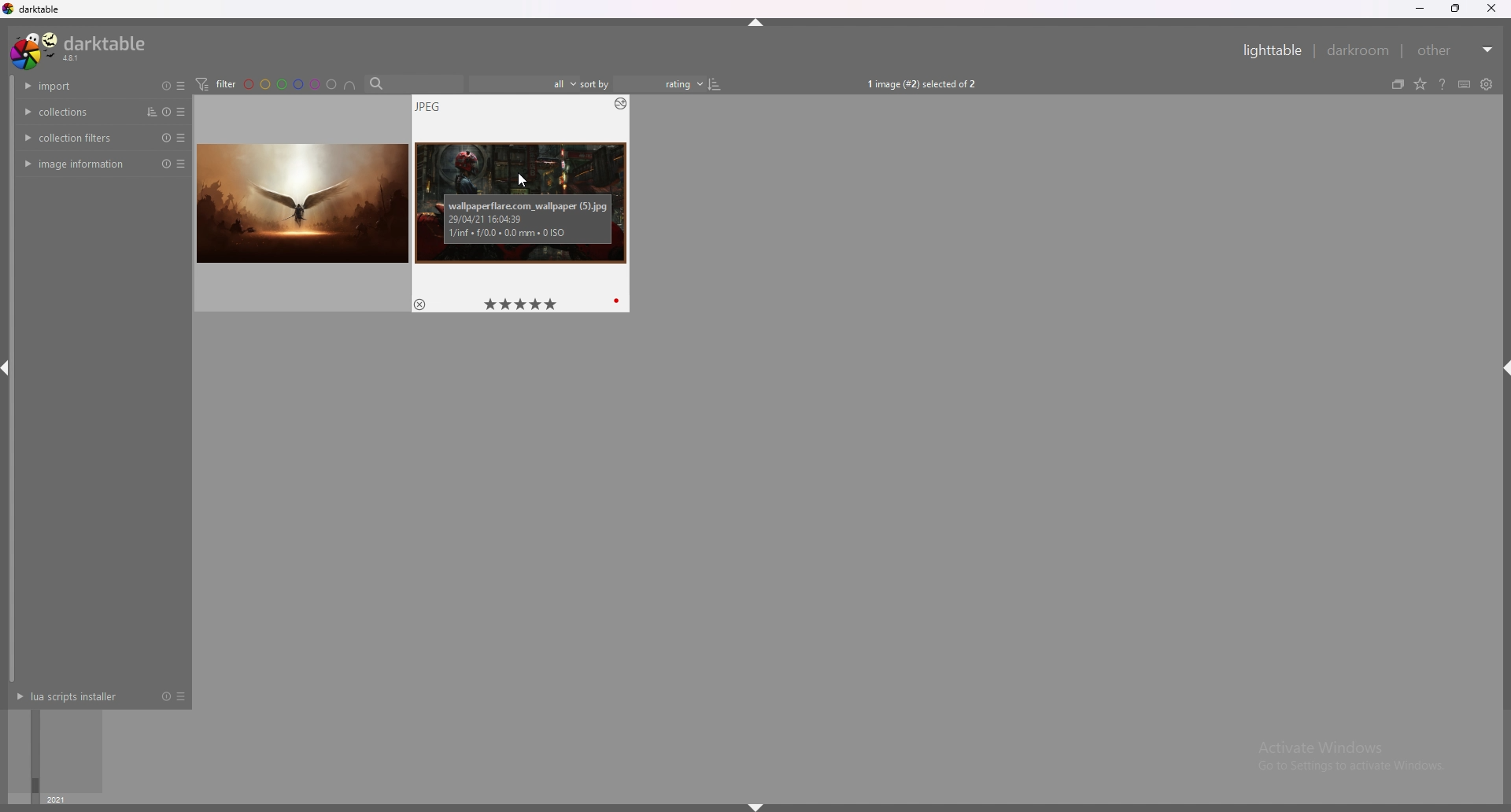  Describe the element at coordinates (521, 206) in the screenshot. I see `image` at that location.